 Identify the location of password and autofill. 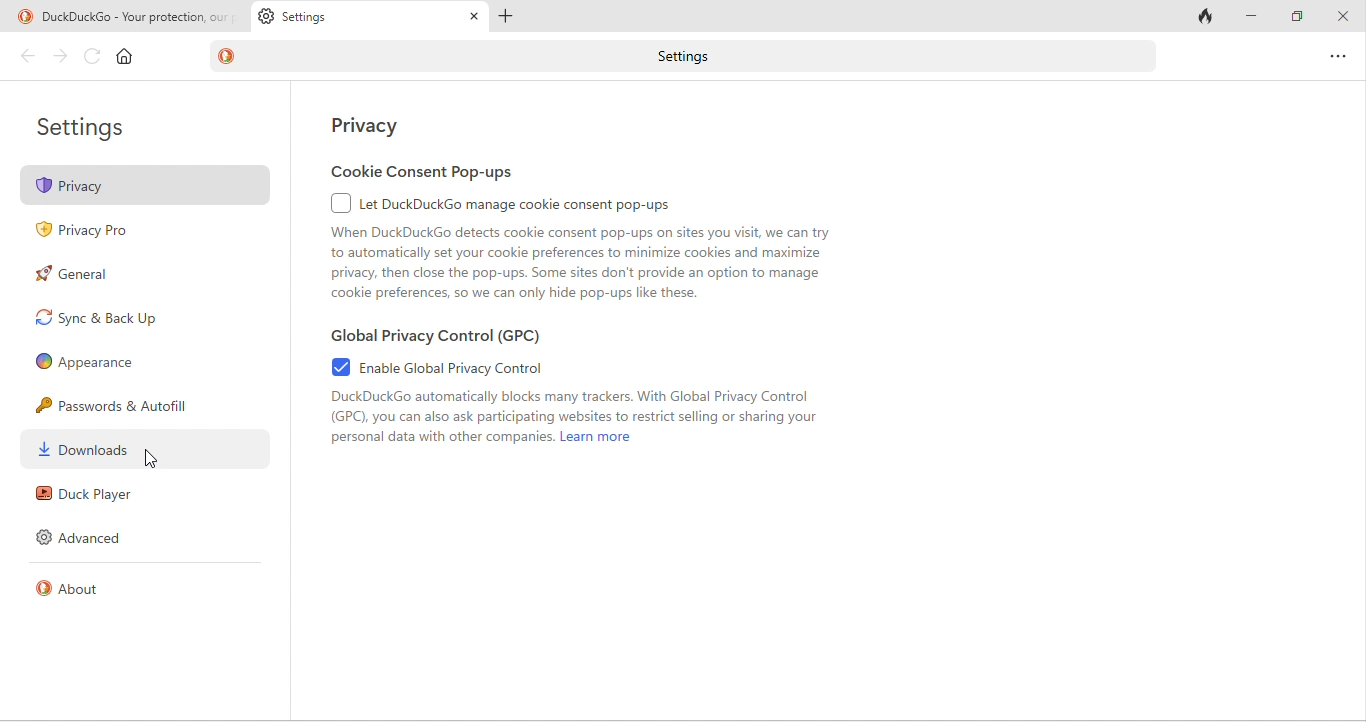
(120, 404).